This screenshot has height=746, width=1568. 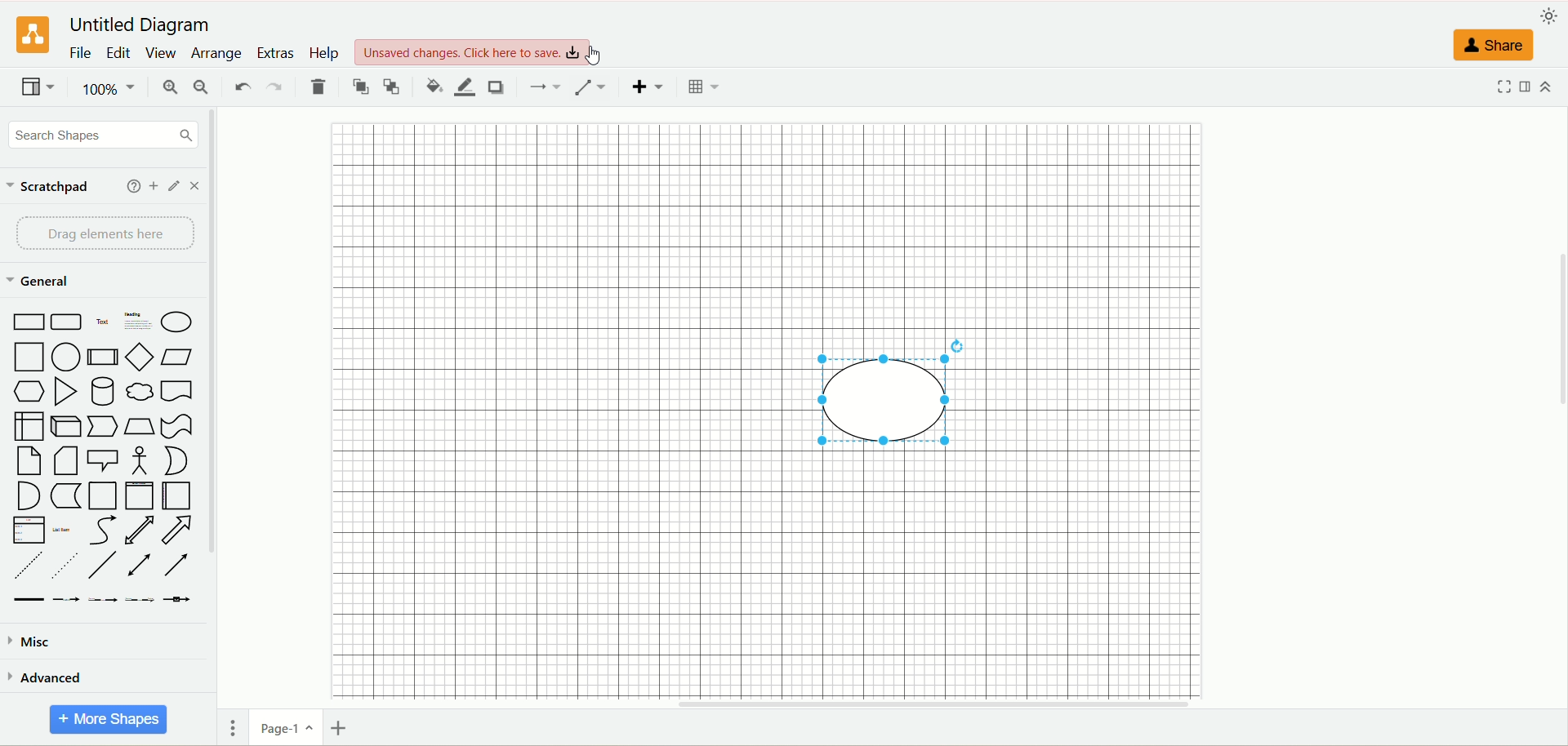 What do you see at coordinates (323, 55) in the screenshot?
I see `help` at bounding box center [323, 55].